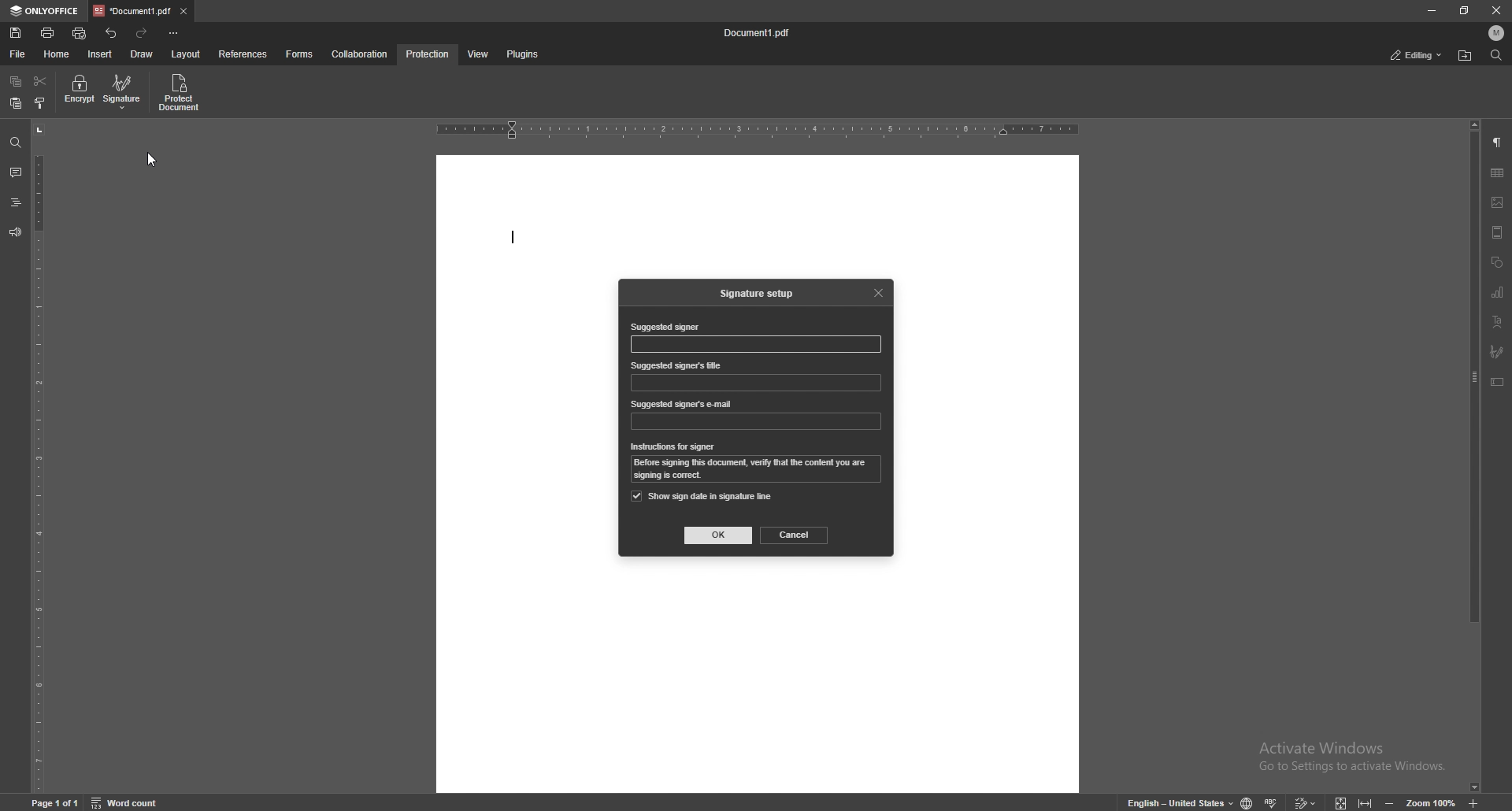  Describe the element at coordinates (16, 143) in the screenshot. I see `find` at that location.